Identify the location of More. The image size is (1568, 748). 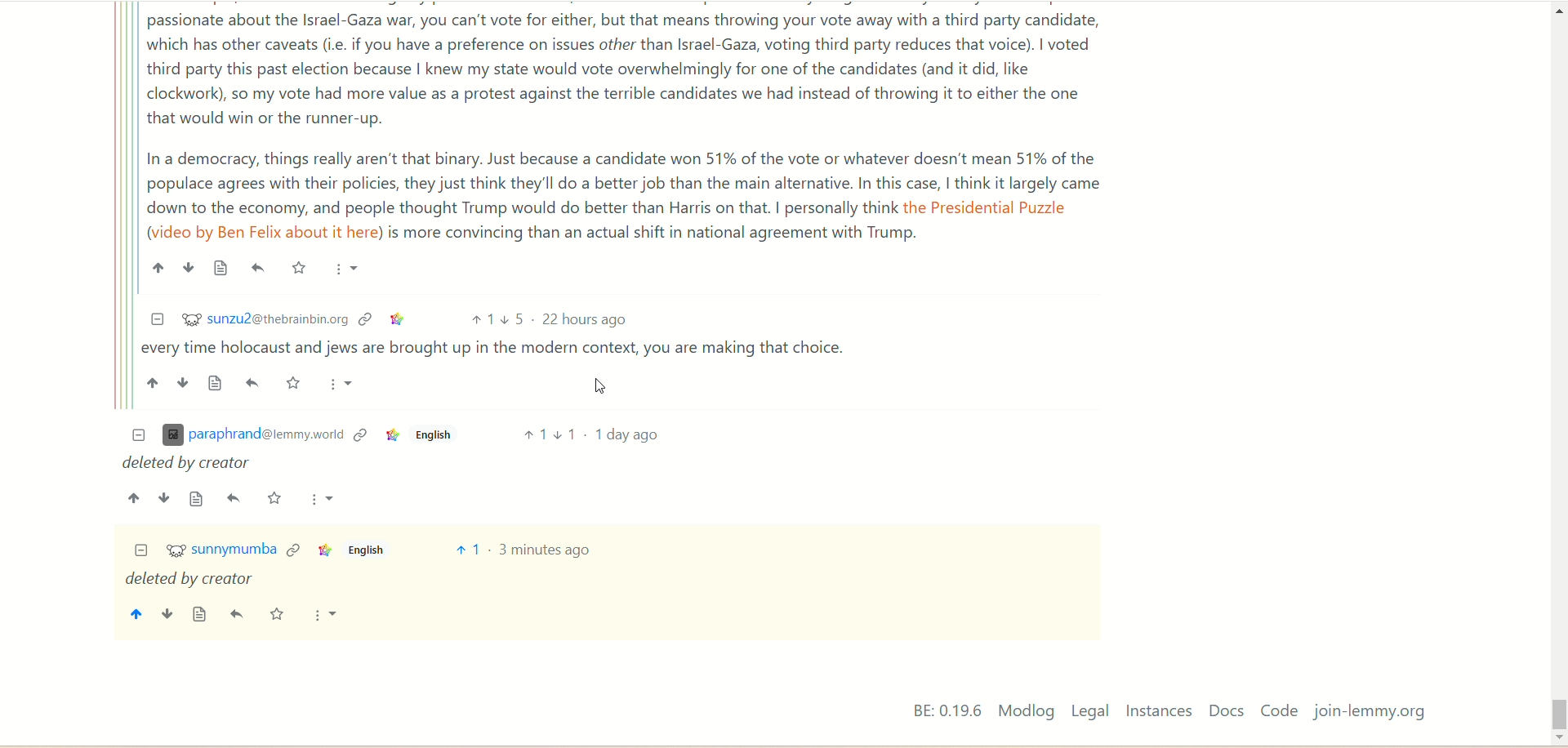
(323, 615).